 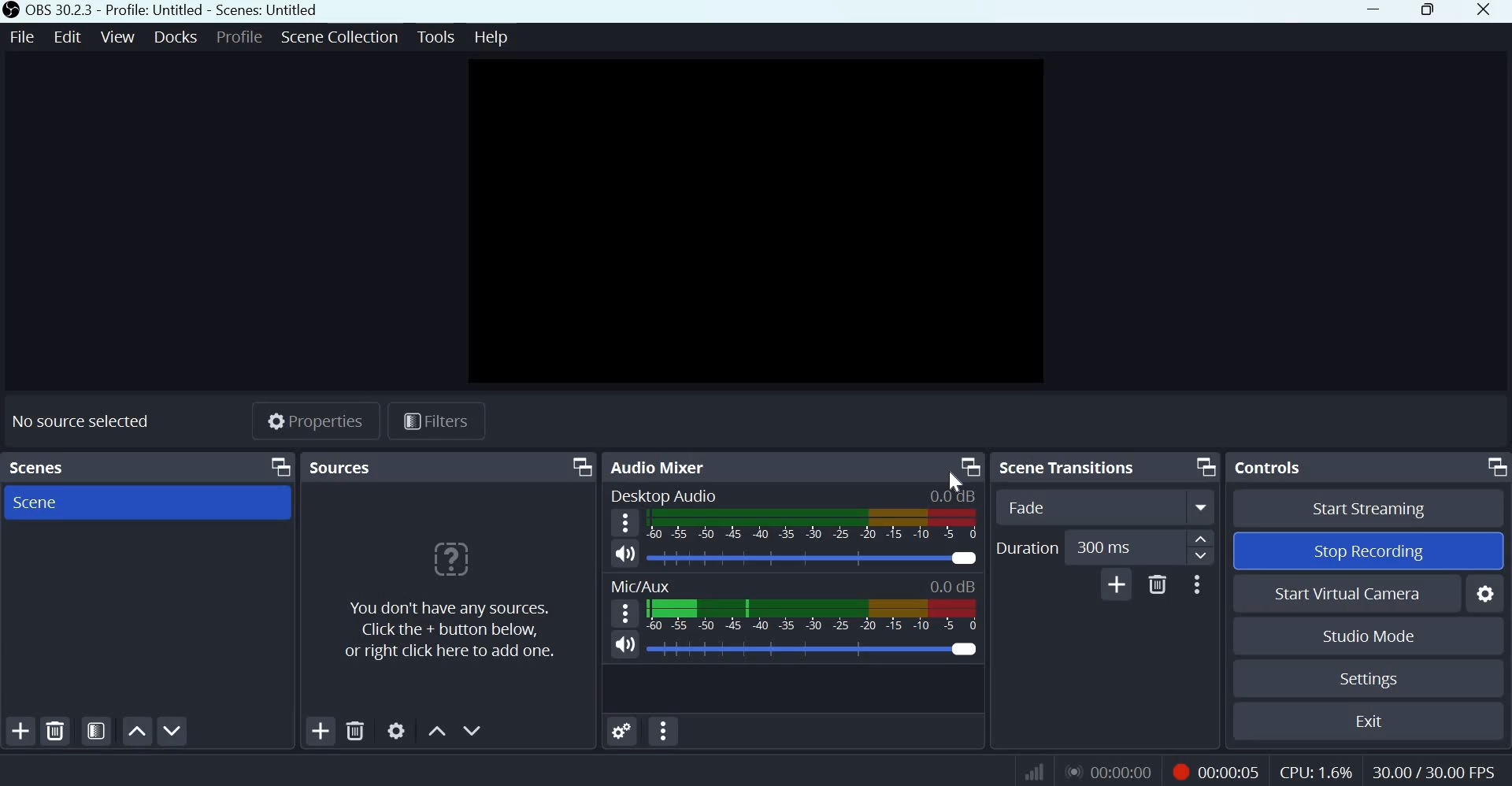 I want to click on Move scene up, so click(x=137, y=731).